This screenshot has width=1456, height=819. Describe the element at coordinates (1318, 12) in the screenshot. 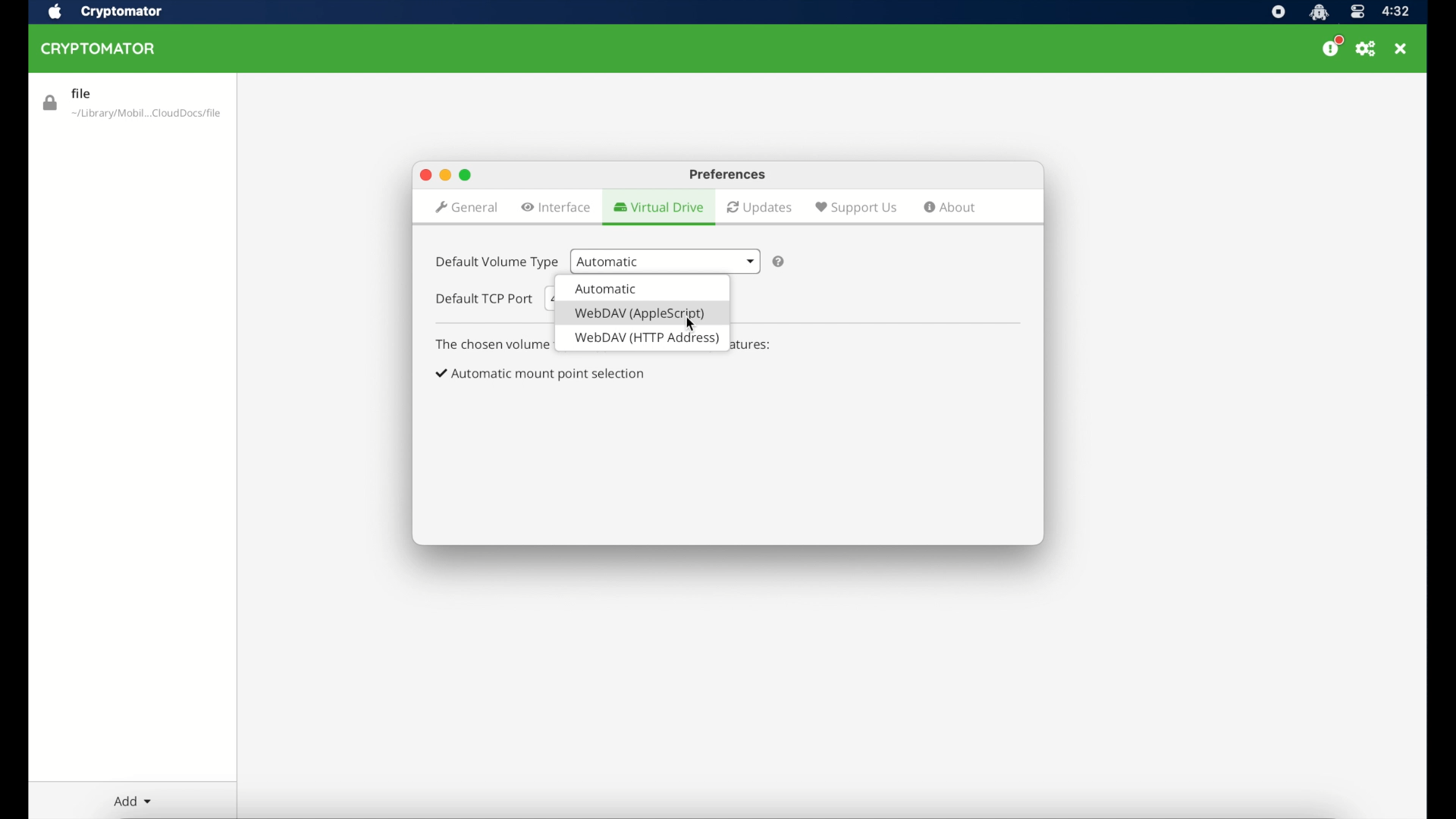

I see `cryptomator` at that location.